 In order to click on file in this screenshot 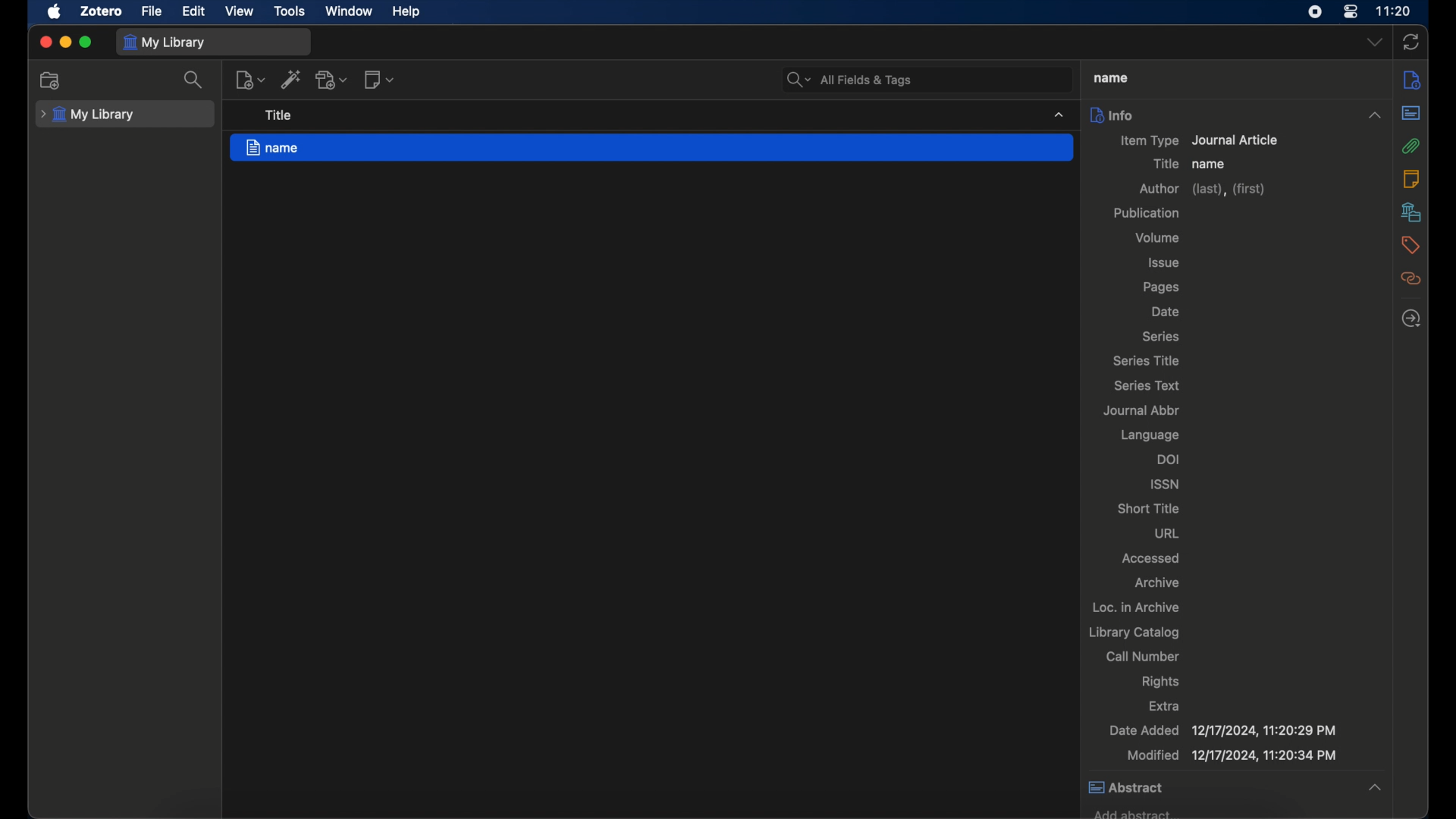, I will do `click(151, 11)`.